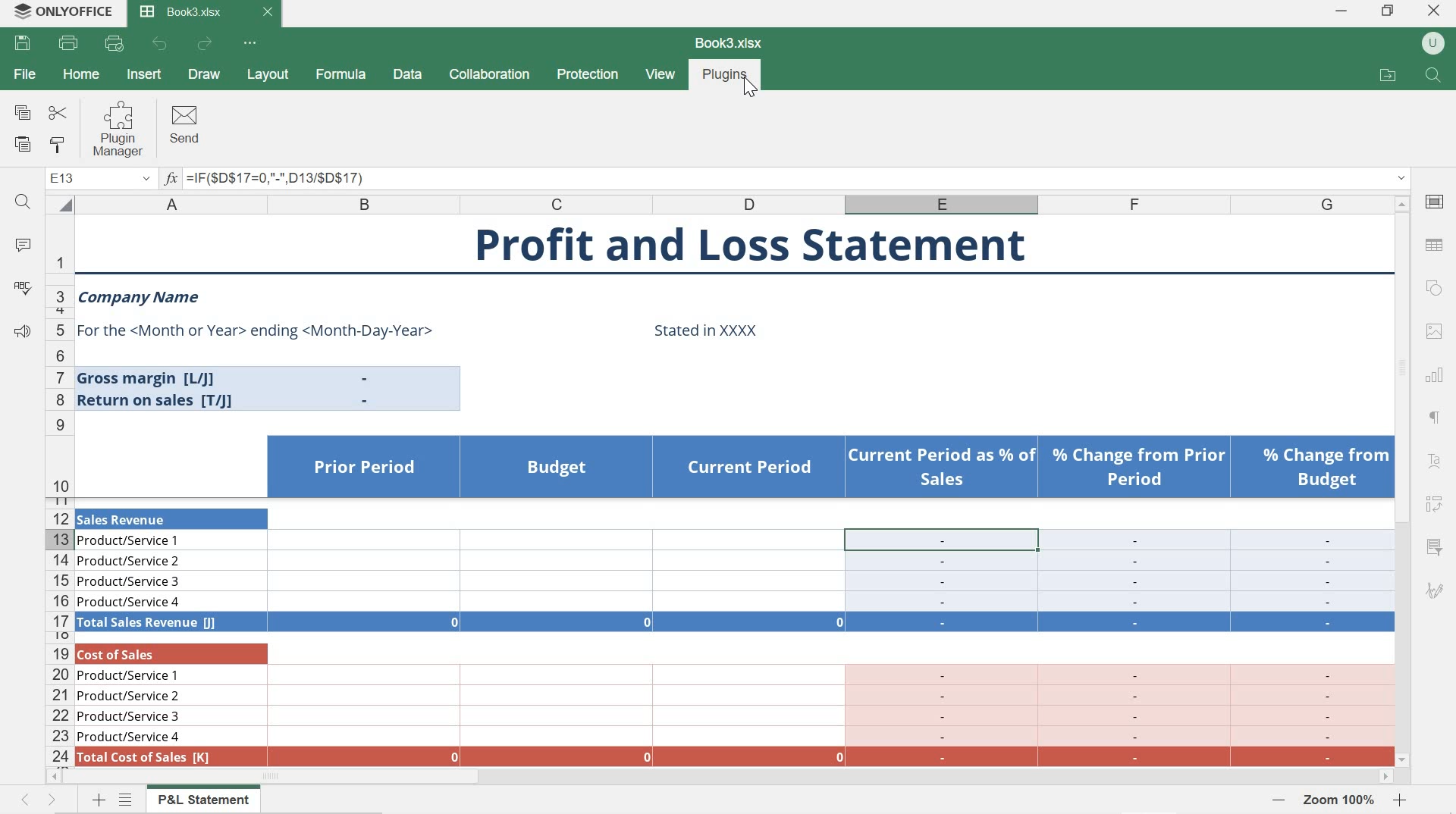 This screenshot has width=1456, height=814. Describe the element at coordinates (1389, 75) in the screenshot. I see `open file location` at that location.